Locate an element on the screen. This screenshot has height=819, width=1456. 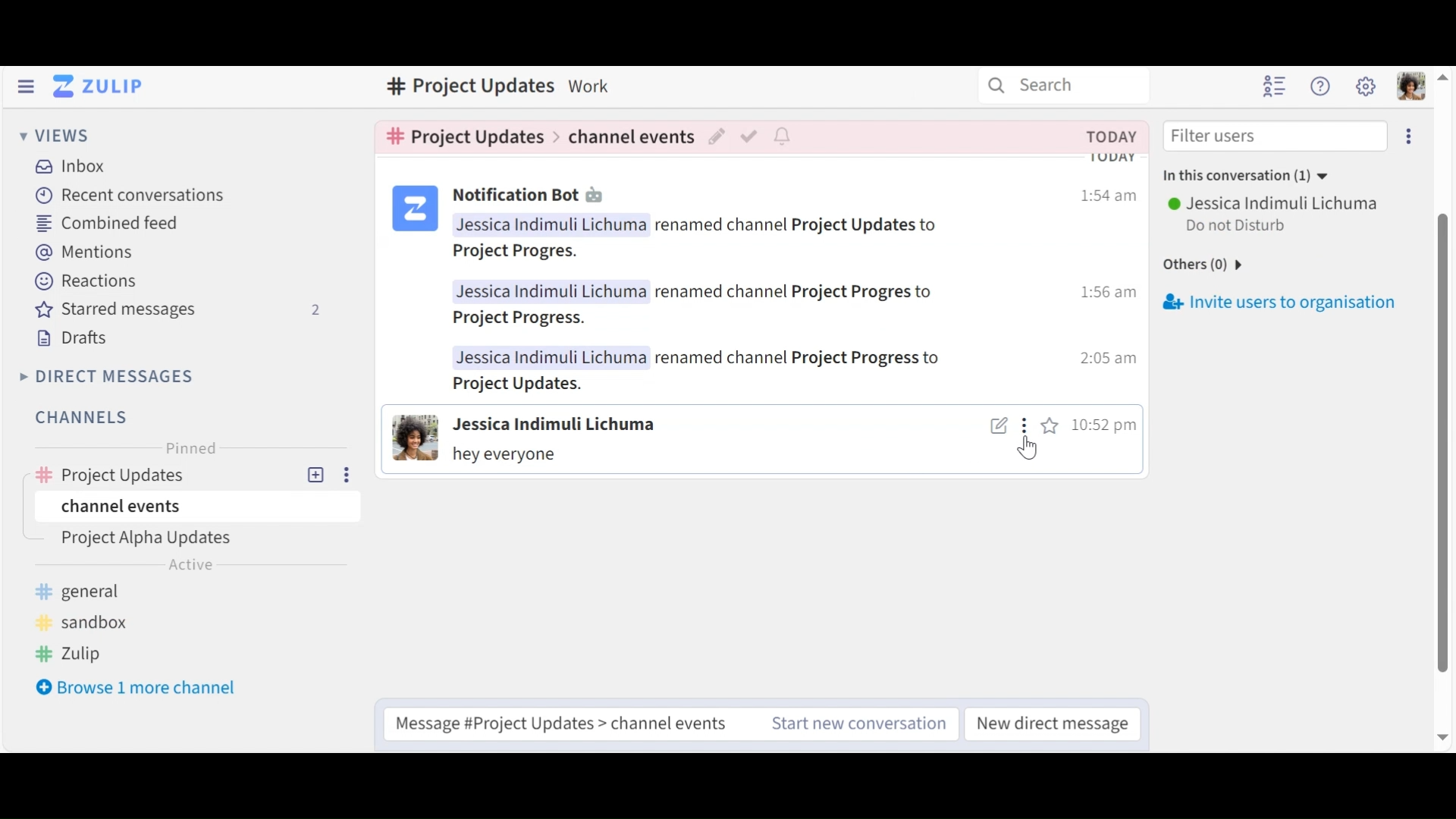
Mentions is located at coordinates (88, 252).